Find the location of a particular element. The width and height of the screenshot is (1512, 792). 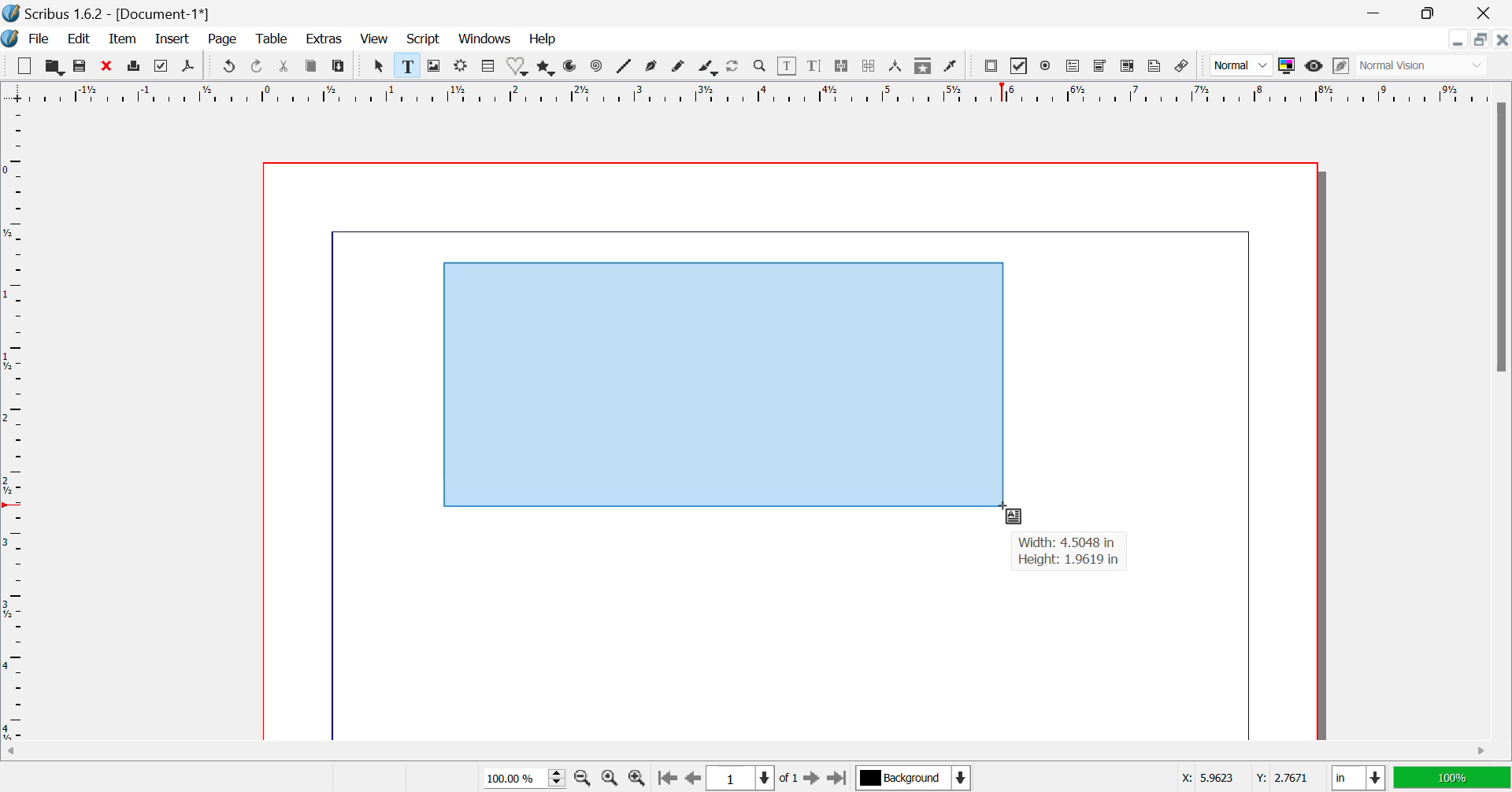

Scribus 1.6.2 - [Document-1*] is located at coordinates (116, 14).